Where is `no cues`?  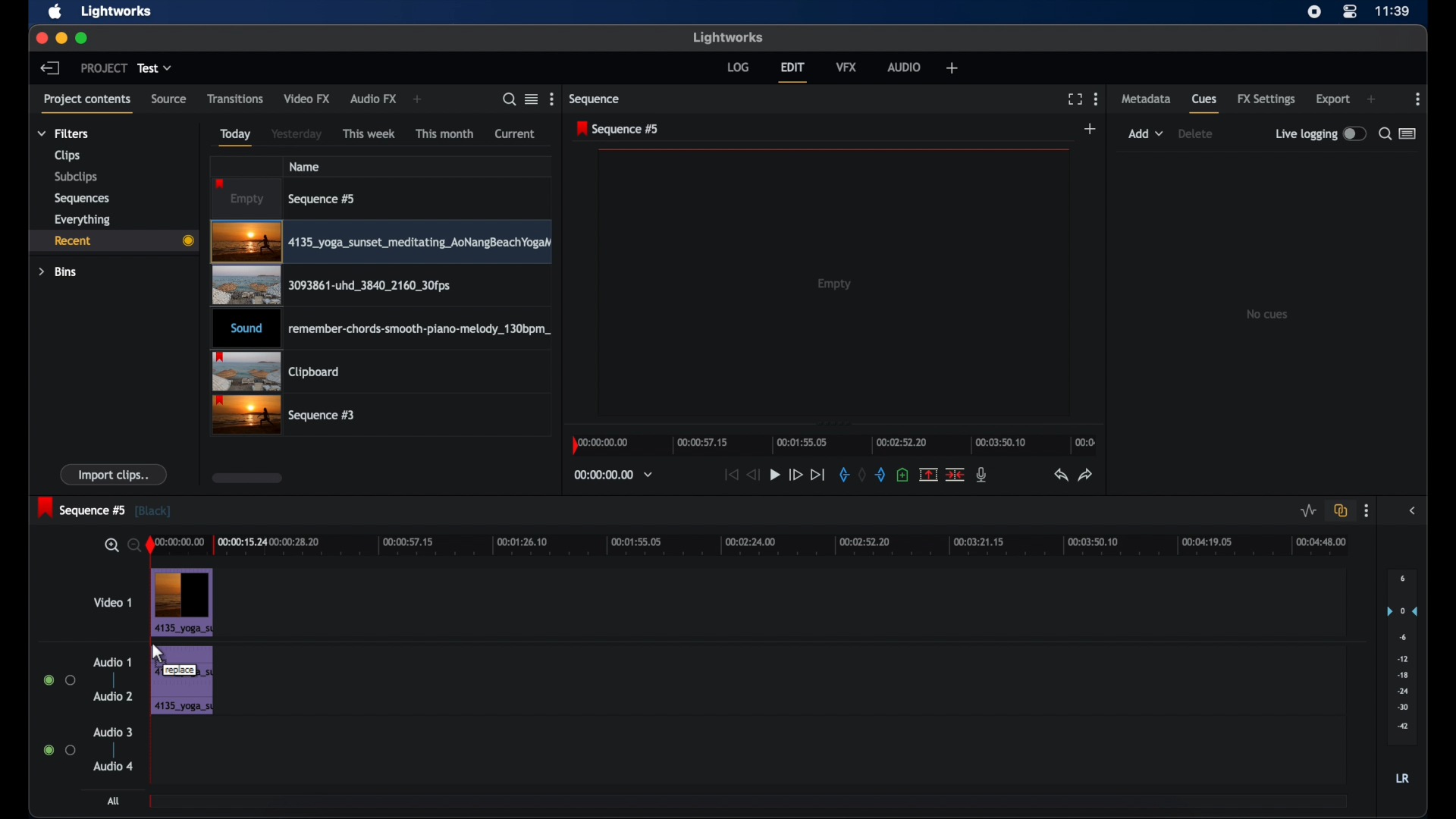
no cues is located at coordinates (1269, 314).